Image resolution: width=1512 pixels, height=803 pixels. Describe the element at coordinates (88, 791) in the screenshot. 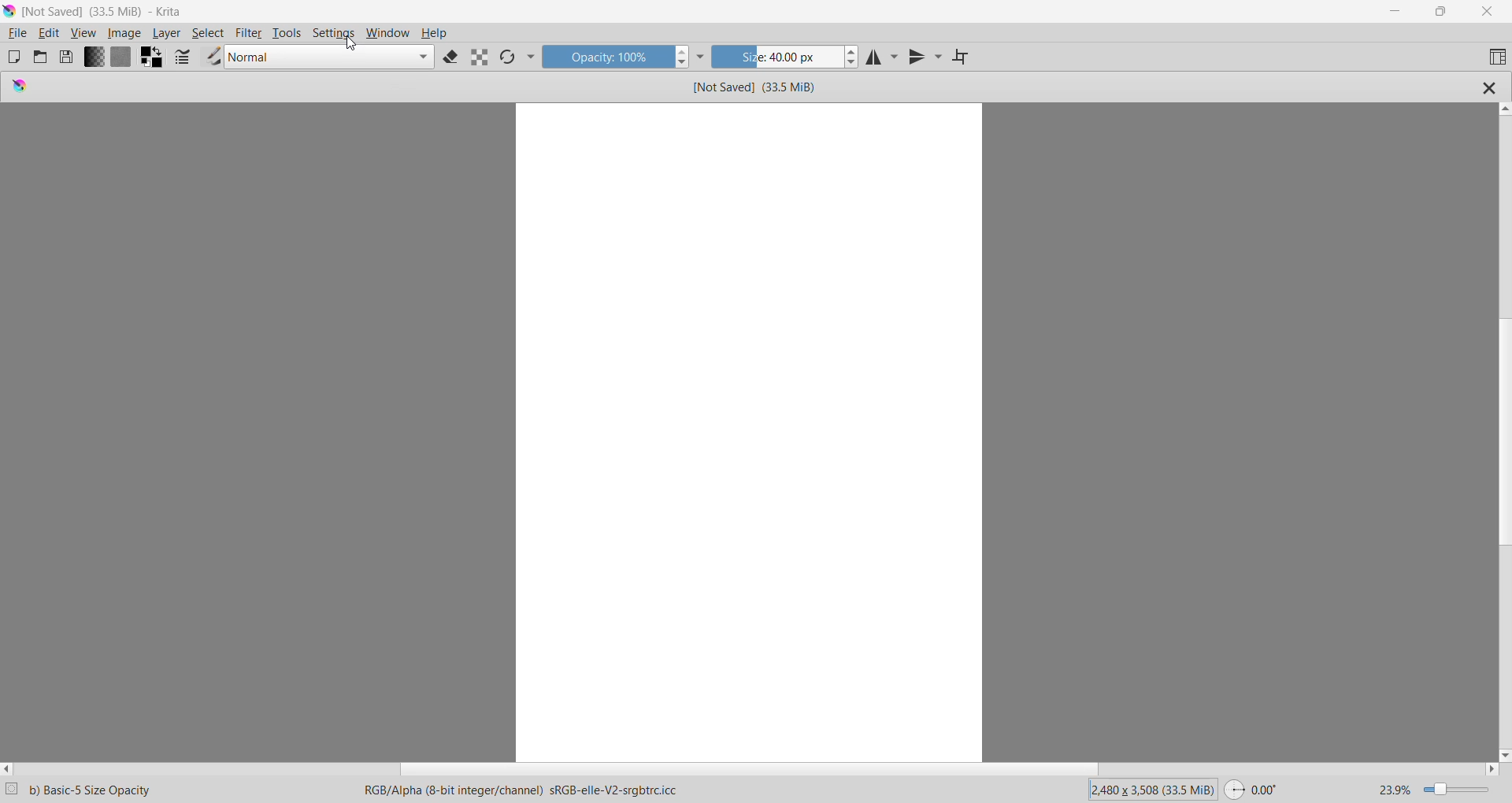

I see `Selected Krita Brush` at that location.